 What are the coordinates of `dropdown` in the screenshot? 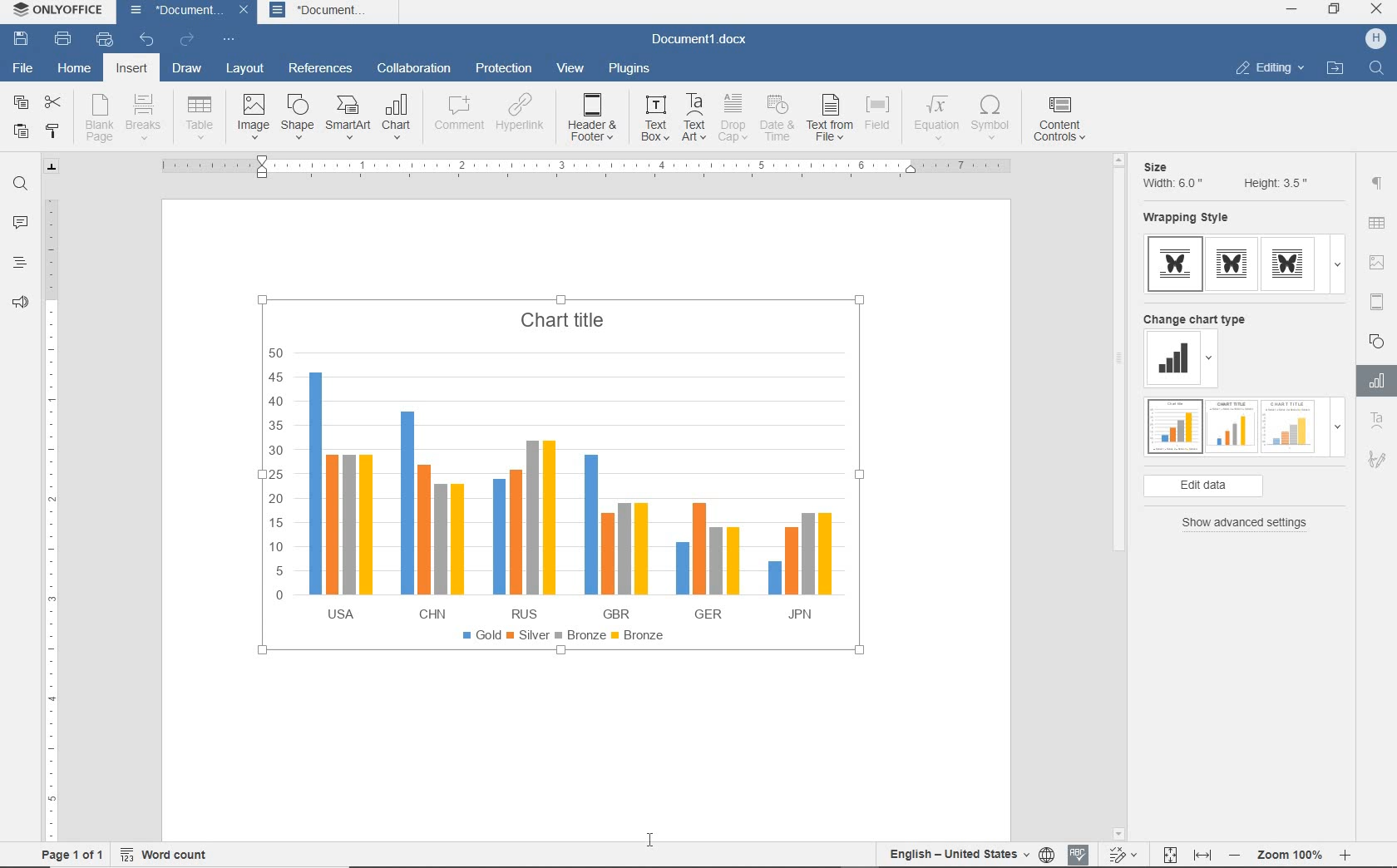 It's located at (1337, 264).